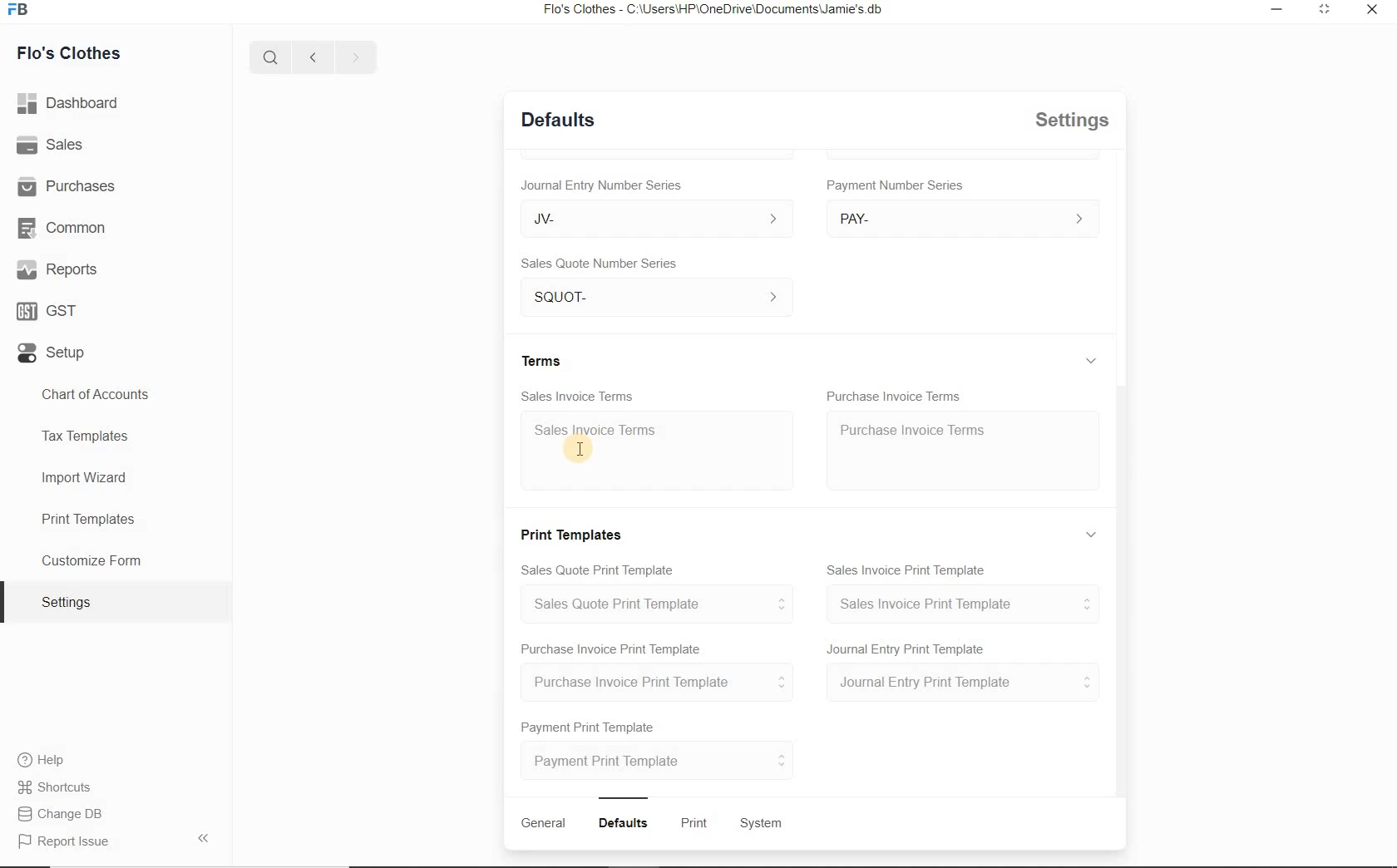 The width and height of the screenshot is (1397, 868). Describe the element at coordinates (763, 824) in the screenshot. I see `System` at that location.